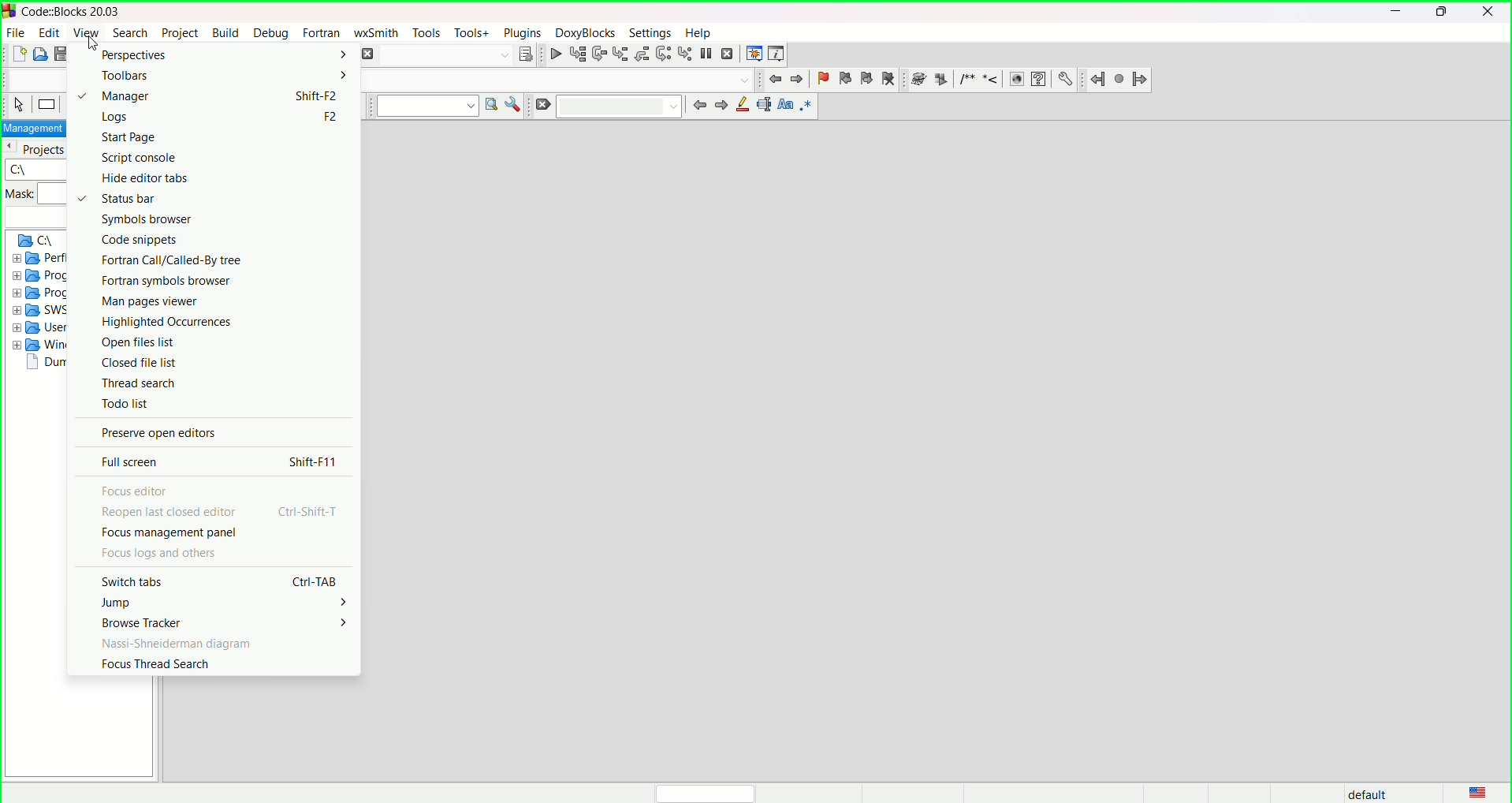 Image resolution: width=1512 pixels, height=803 pixels. What do you see at coordinates (845, 77) in the screenshot?
I see `prev bookmark` at bounding box center [845, 77].